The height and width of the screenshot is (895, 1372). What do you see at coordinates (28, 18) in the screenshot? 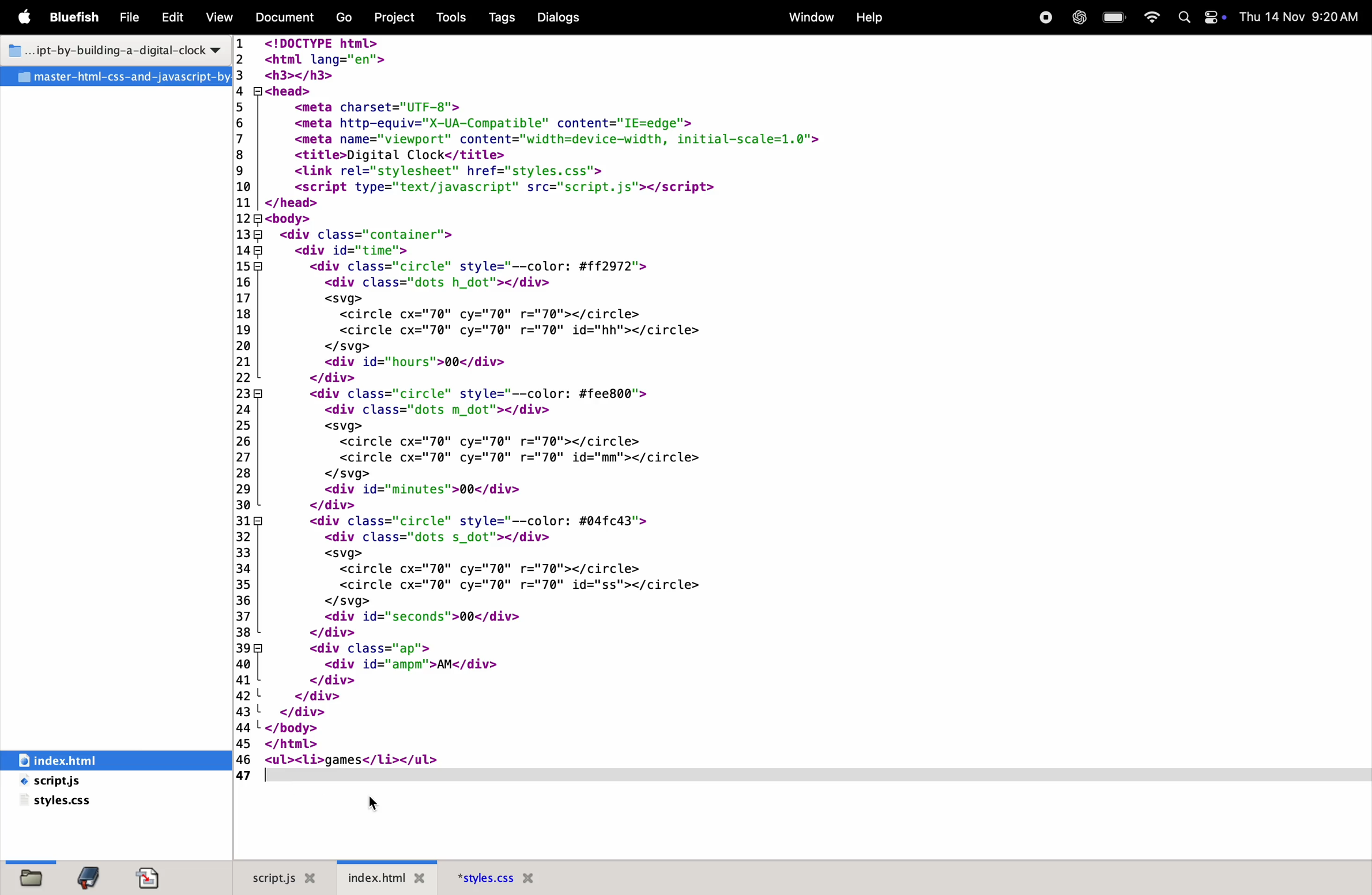
I see `apple menu` at bounding box center [28, 18].